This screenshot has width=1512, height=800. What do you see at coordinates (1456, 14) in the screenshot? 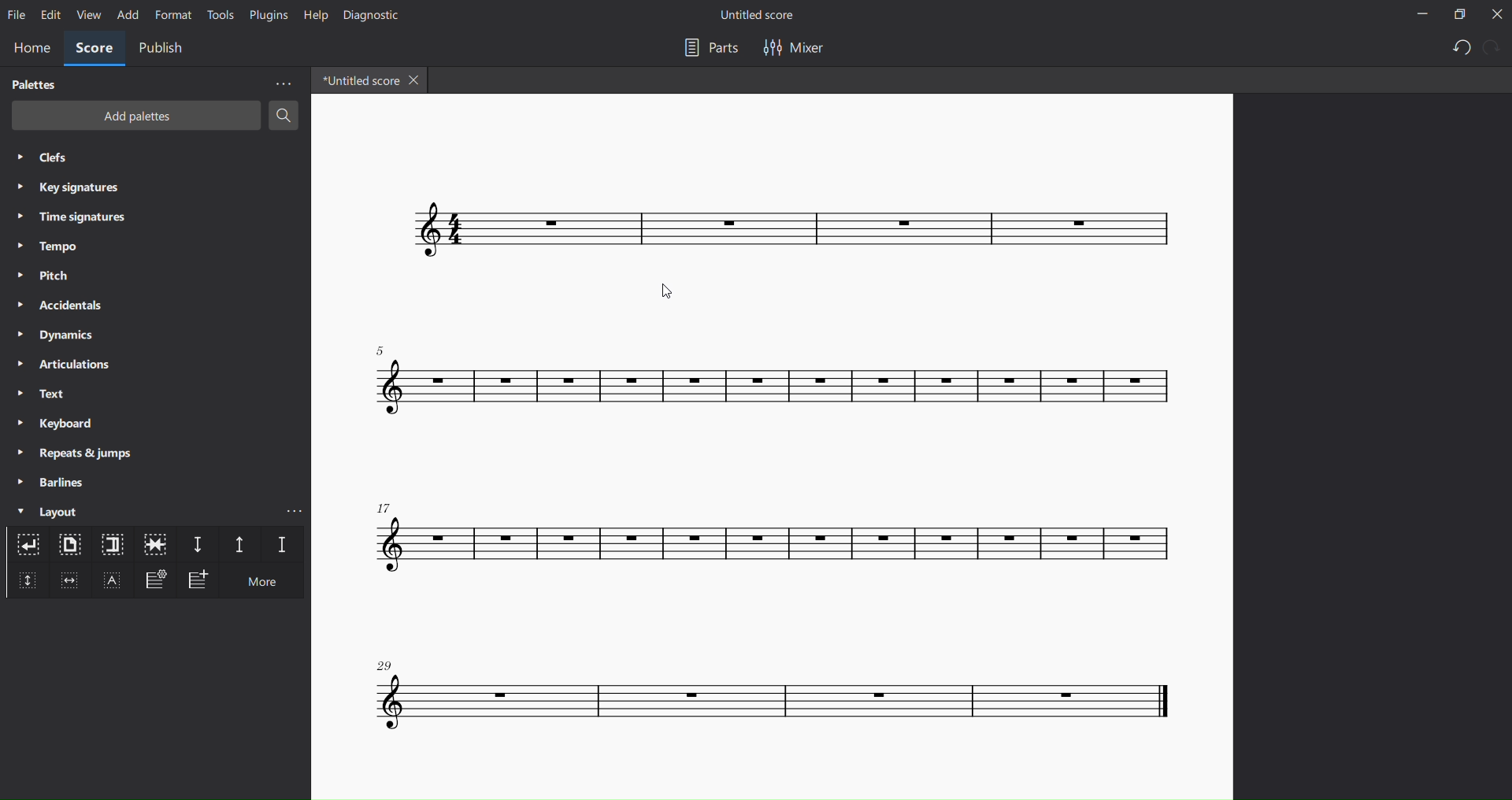
I see `restore` at bounding box center [1456, 14].